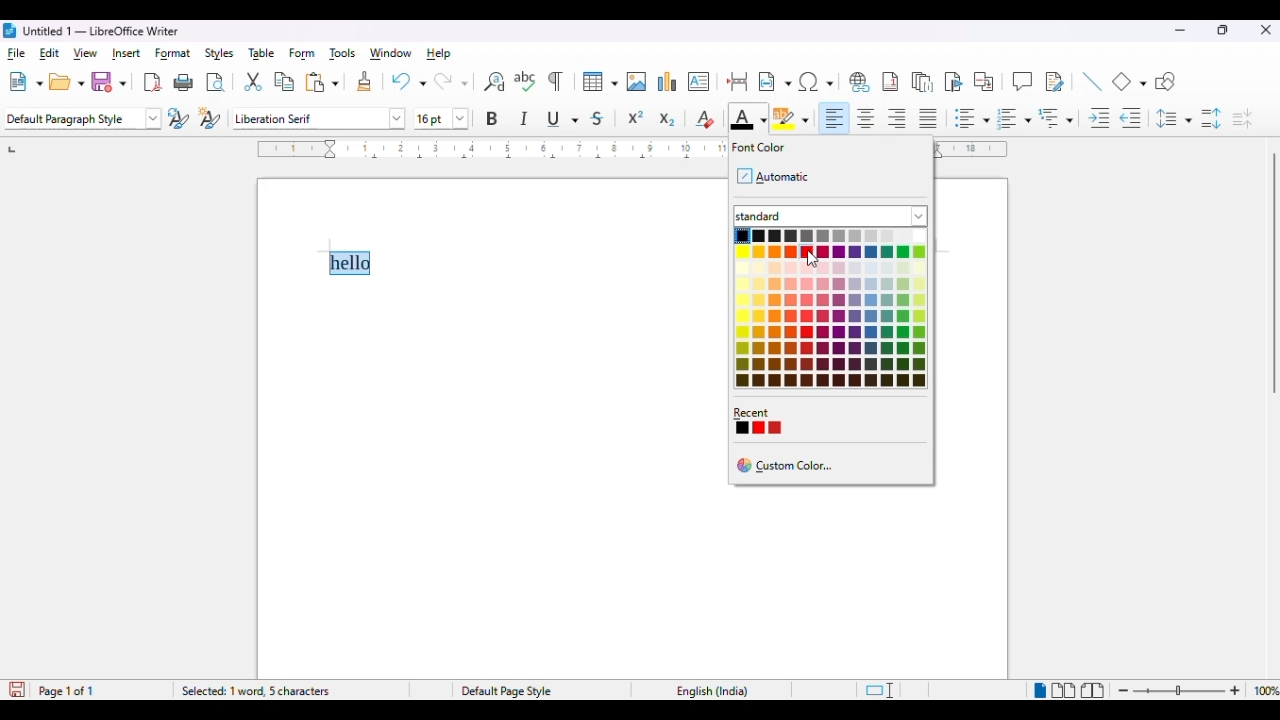  What do you see at coordinates (1126, 691) in the screenshot?
I see `zoom out` at bounding box center [1126, 691].